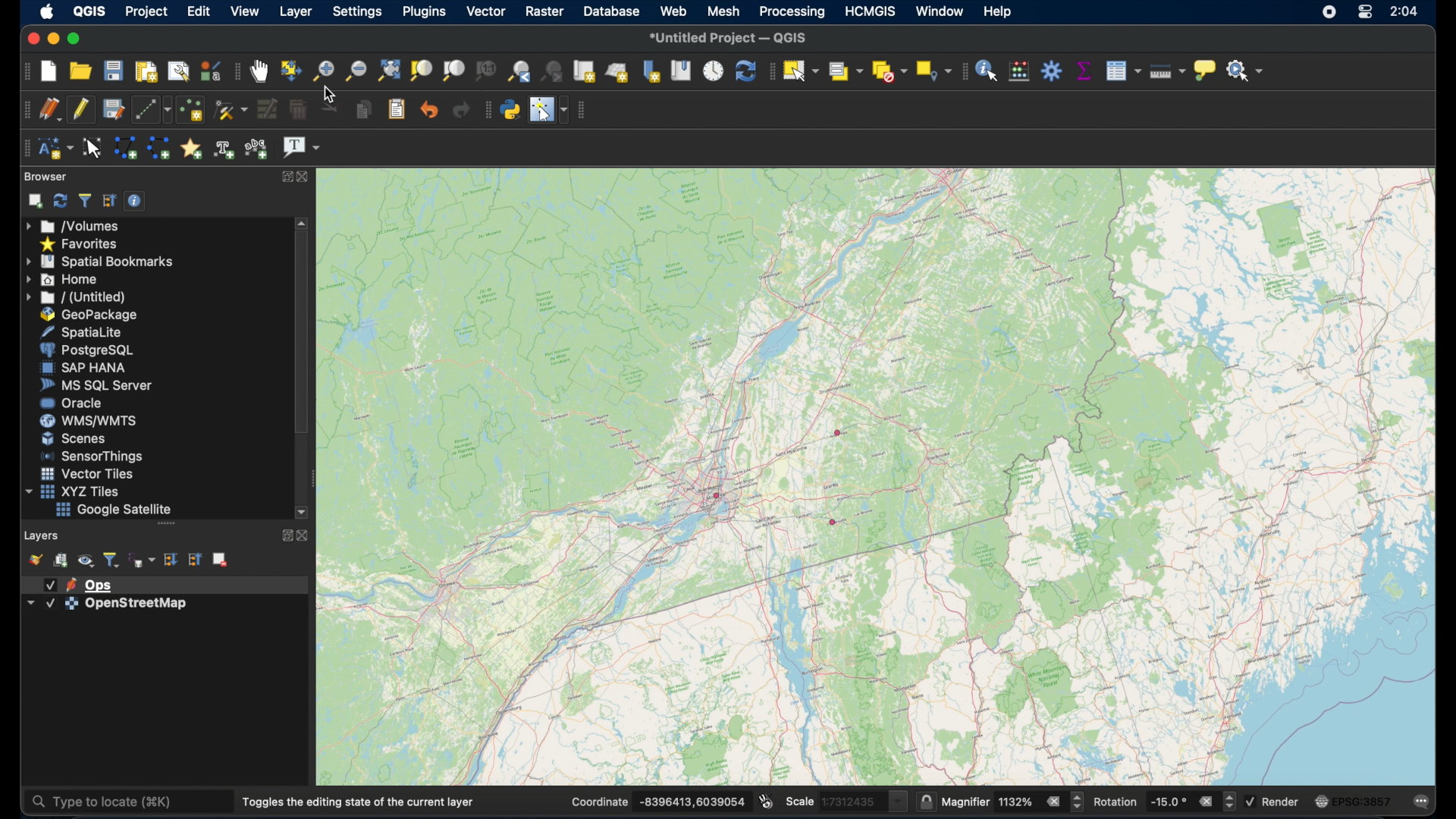 This screenshot has height=819, width=1456. Describe the element at coordinates (940, 11) in the screenshot. I see `window` at that location.